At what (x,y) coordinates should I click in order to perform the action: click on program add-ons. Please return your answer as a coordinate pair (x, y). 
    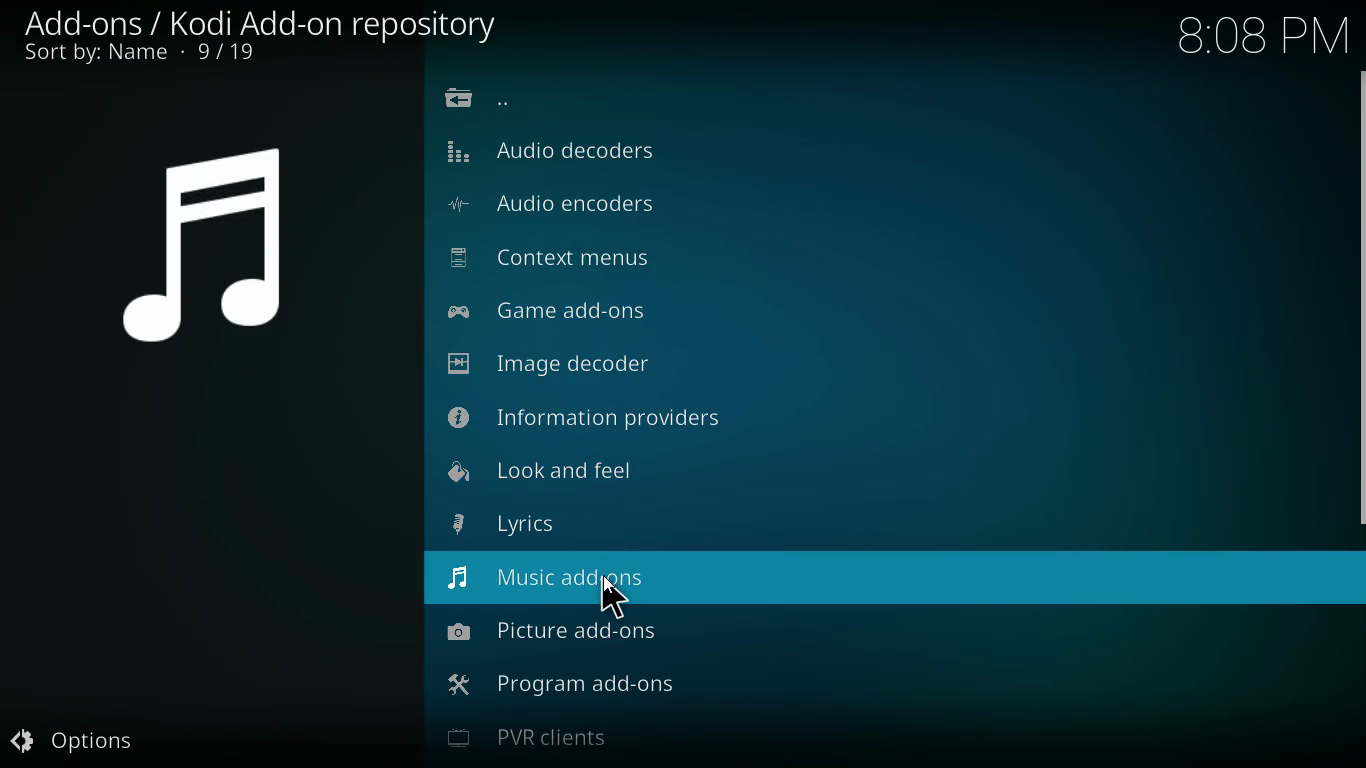
    Looking at the image, I should click on (572, 683).